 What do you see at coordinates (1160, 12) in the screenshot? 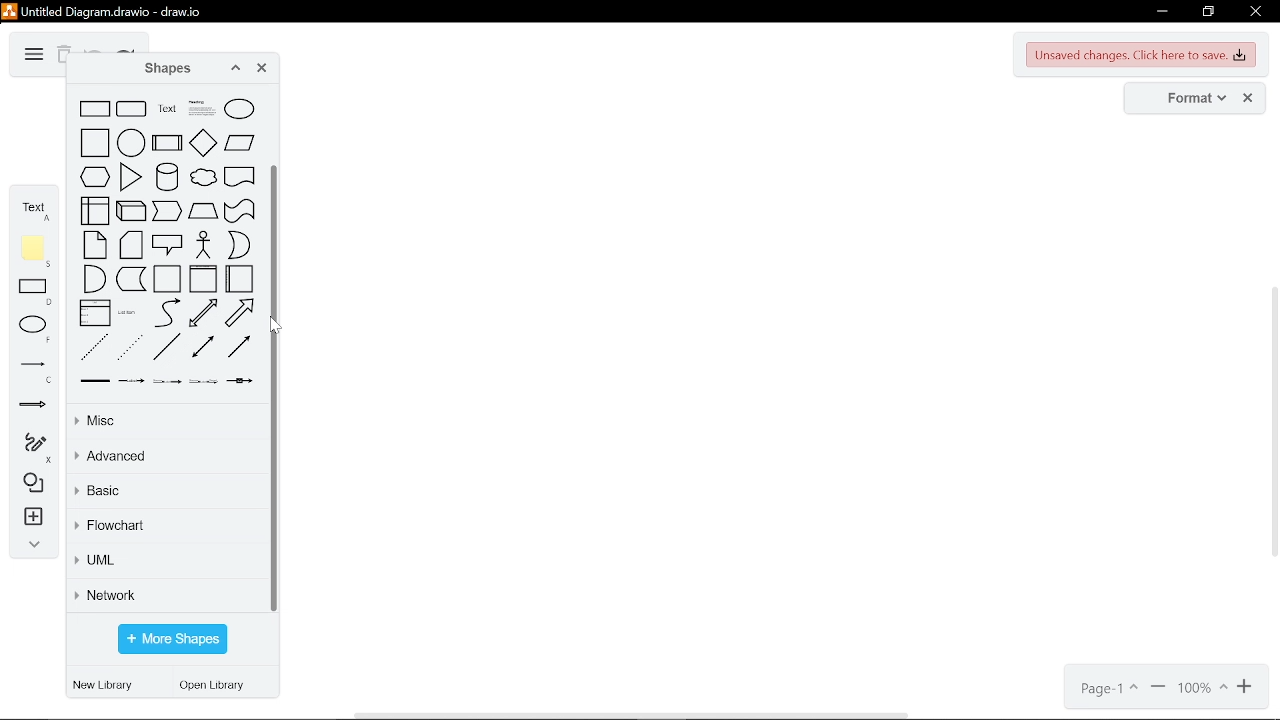
I see `minimize` at bounding box center [1160, 12].